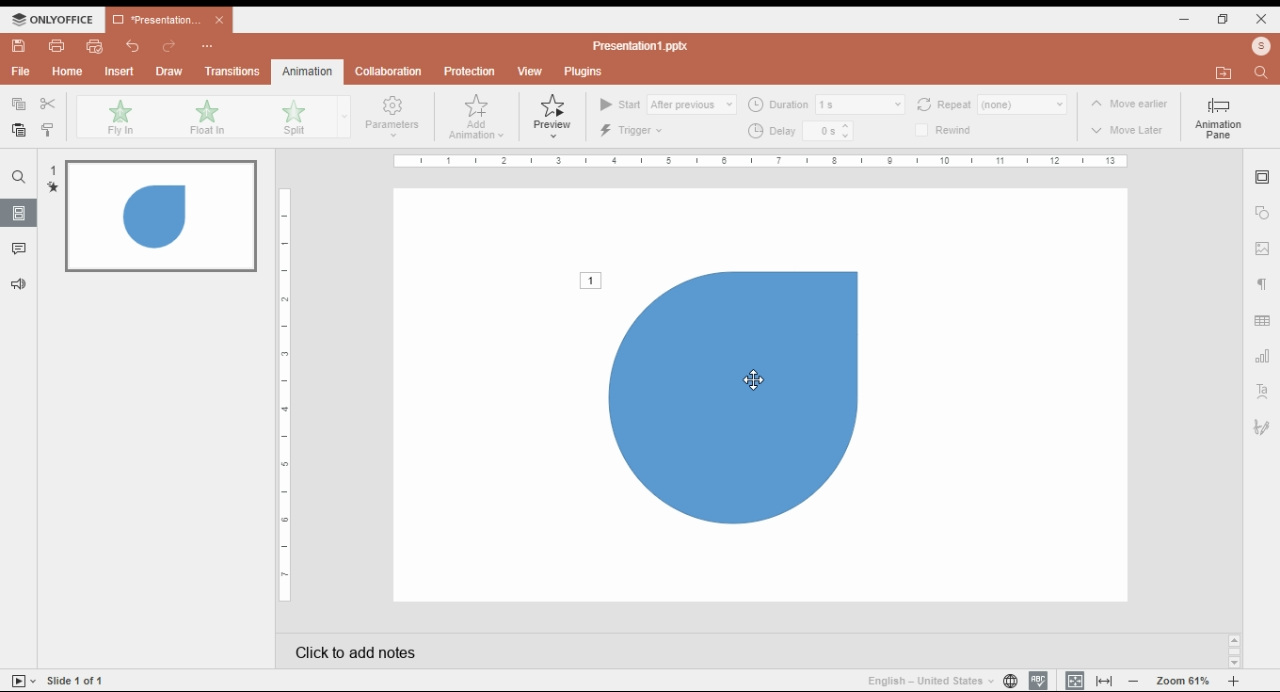  What do you see at coordinates (801, 131) in the screenshot?
I see `delay` at bounding box center [801, 131].